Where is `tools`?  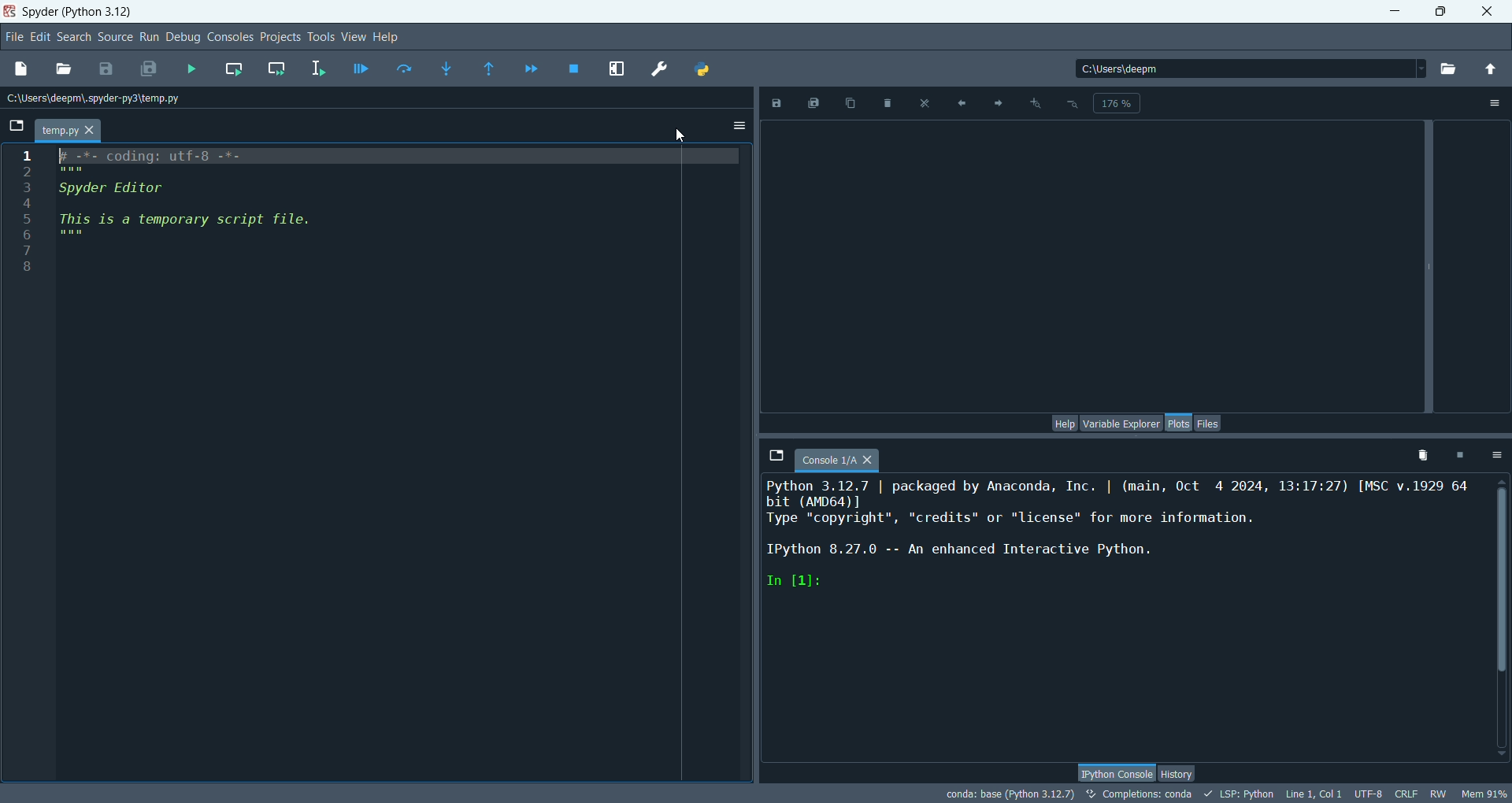 tools is located at coordinates (322, 37).